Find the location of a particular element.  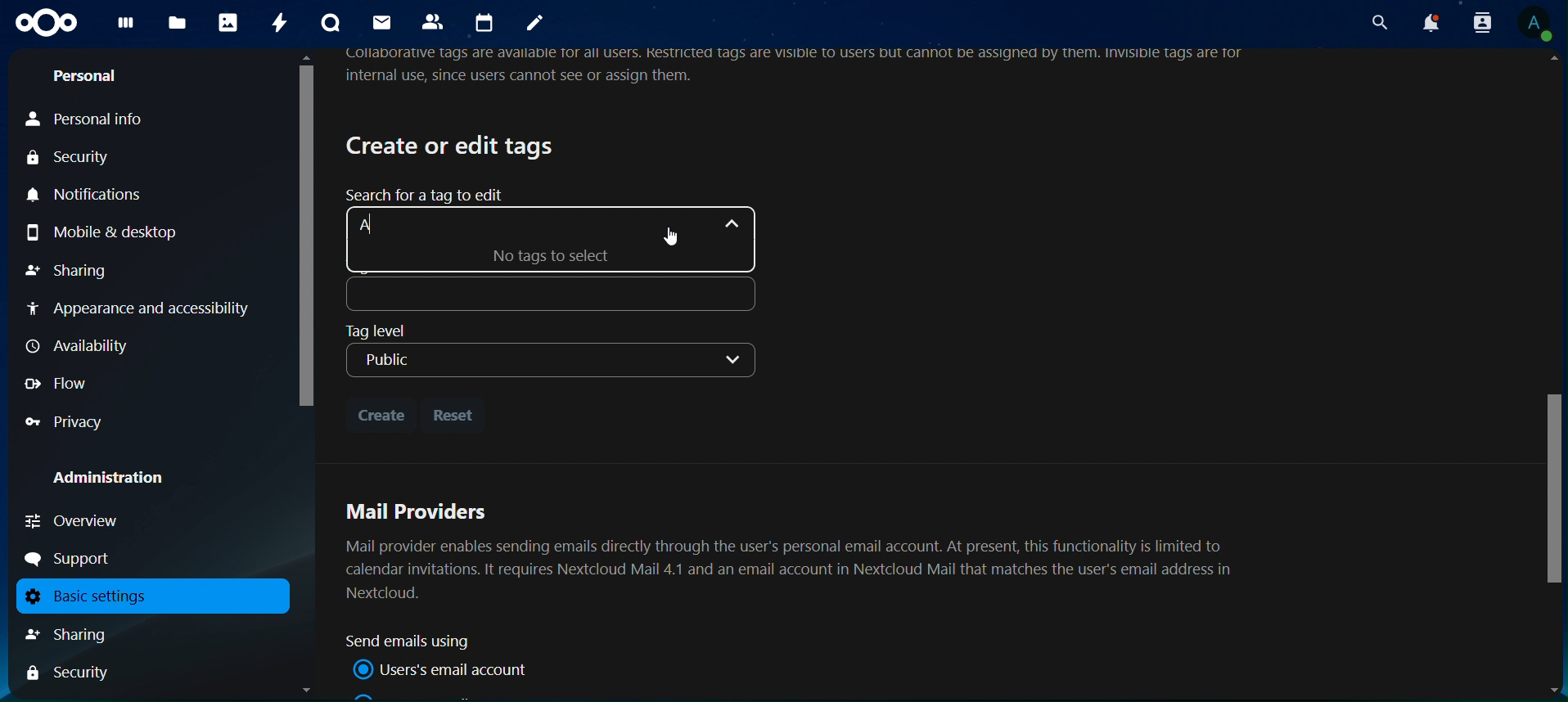

sharing is located at coordinates (85, 634).